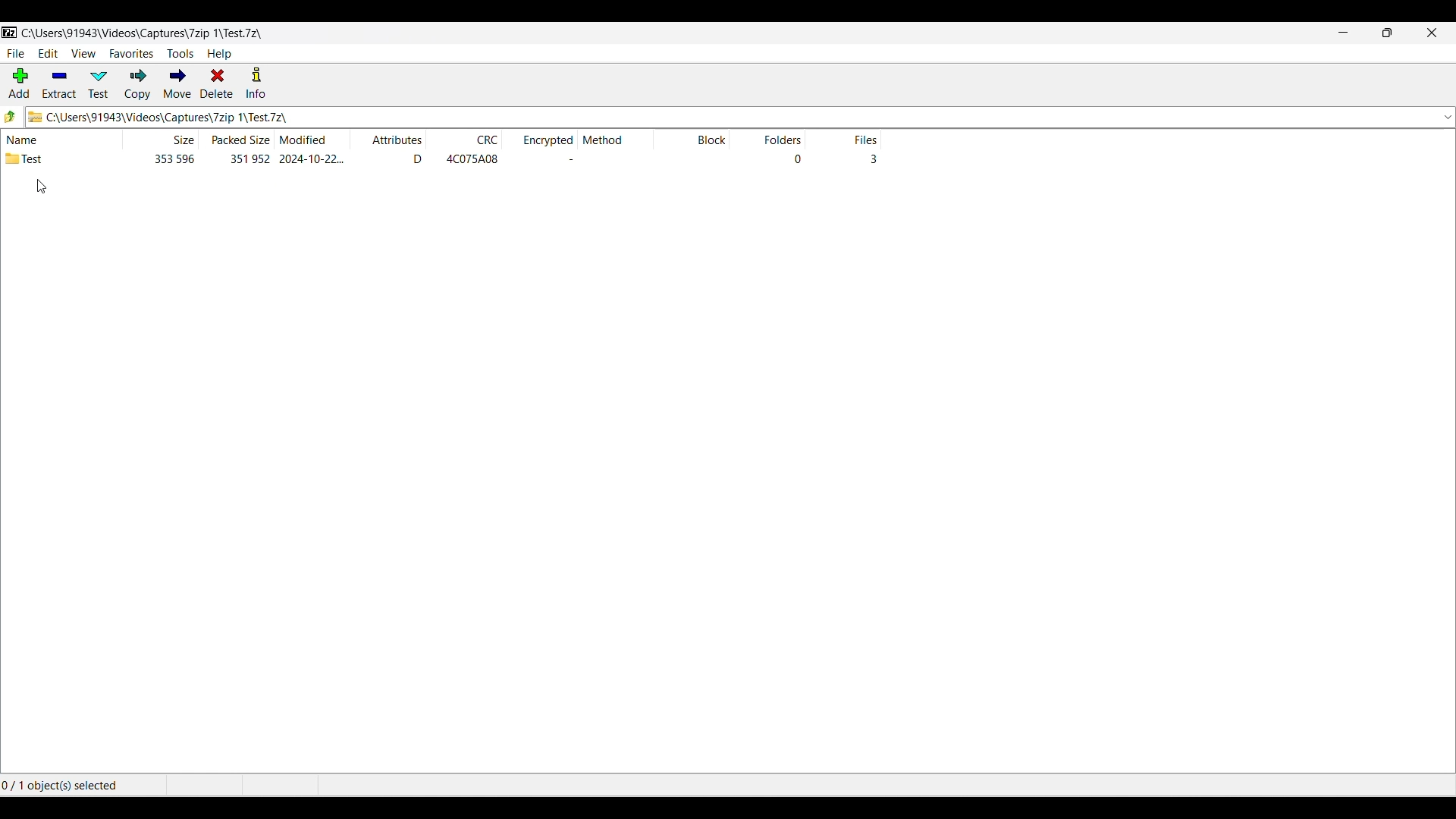 The height and width of the screenshot is (819, 1456). I want to click on Files column, so click(863, 139).